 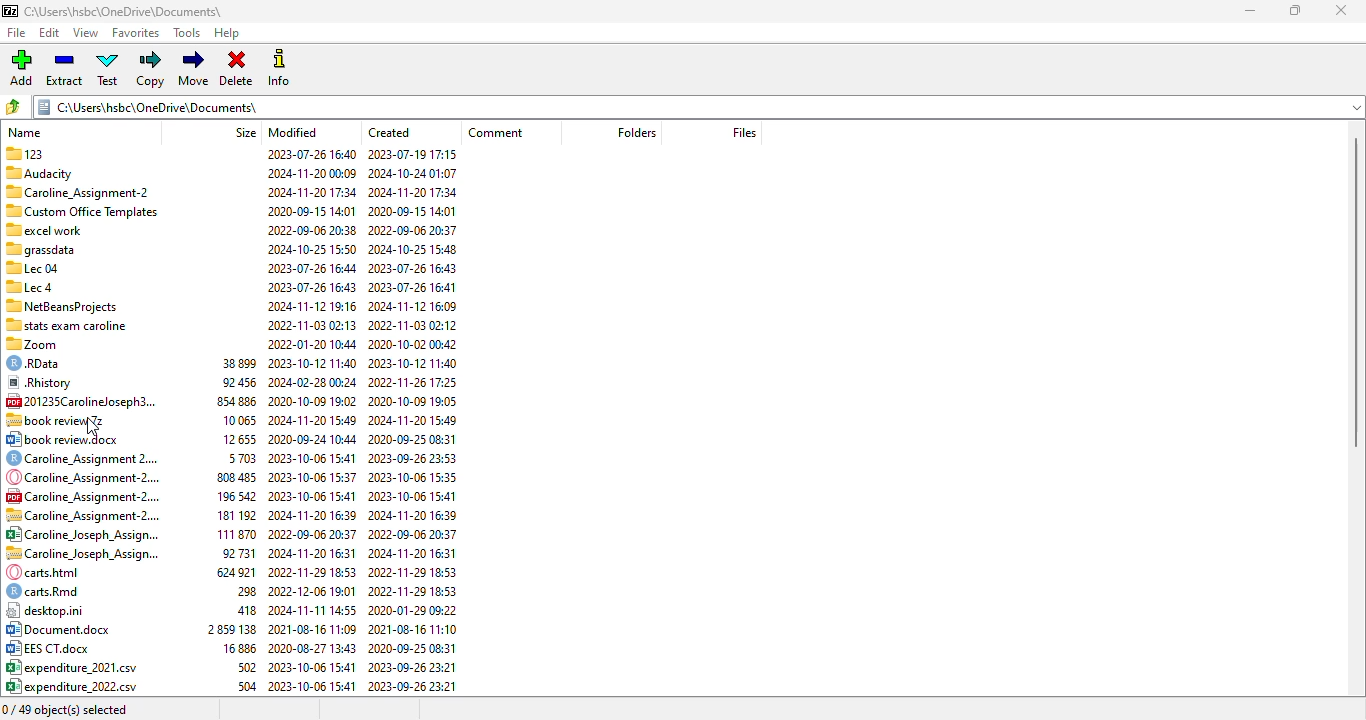 I want to click on delete, so click(x=236, y=68).